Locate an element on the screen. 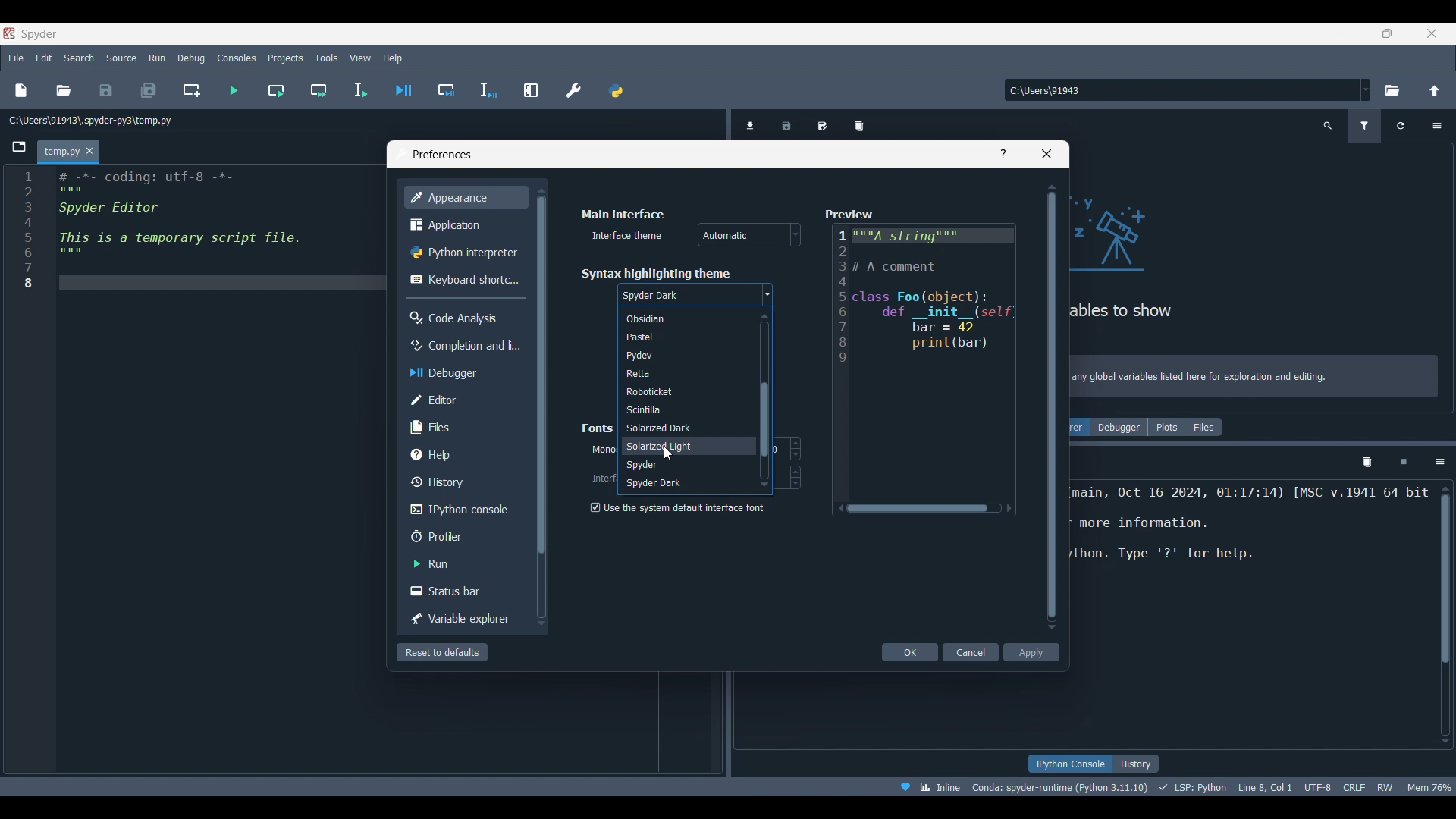 This screenshot has width=1456, height=819. Debugger is located at coordinates (1120, 427).